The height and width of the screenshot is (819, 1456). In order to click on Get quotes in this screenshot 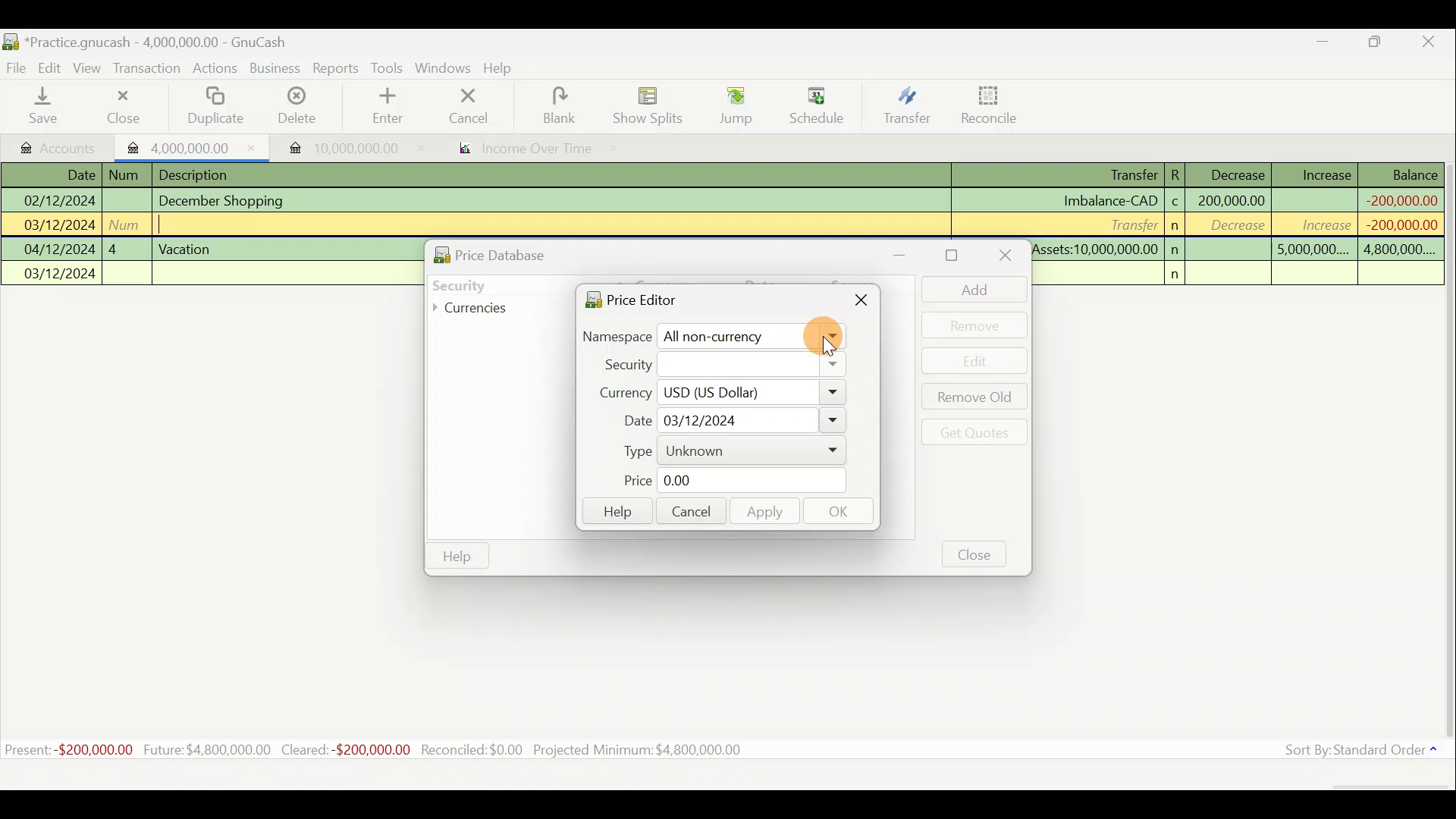, I will do `click(971, 431)`.